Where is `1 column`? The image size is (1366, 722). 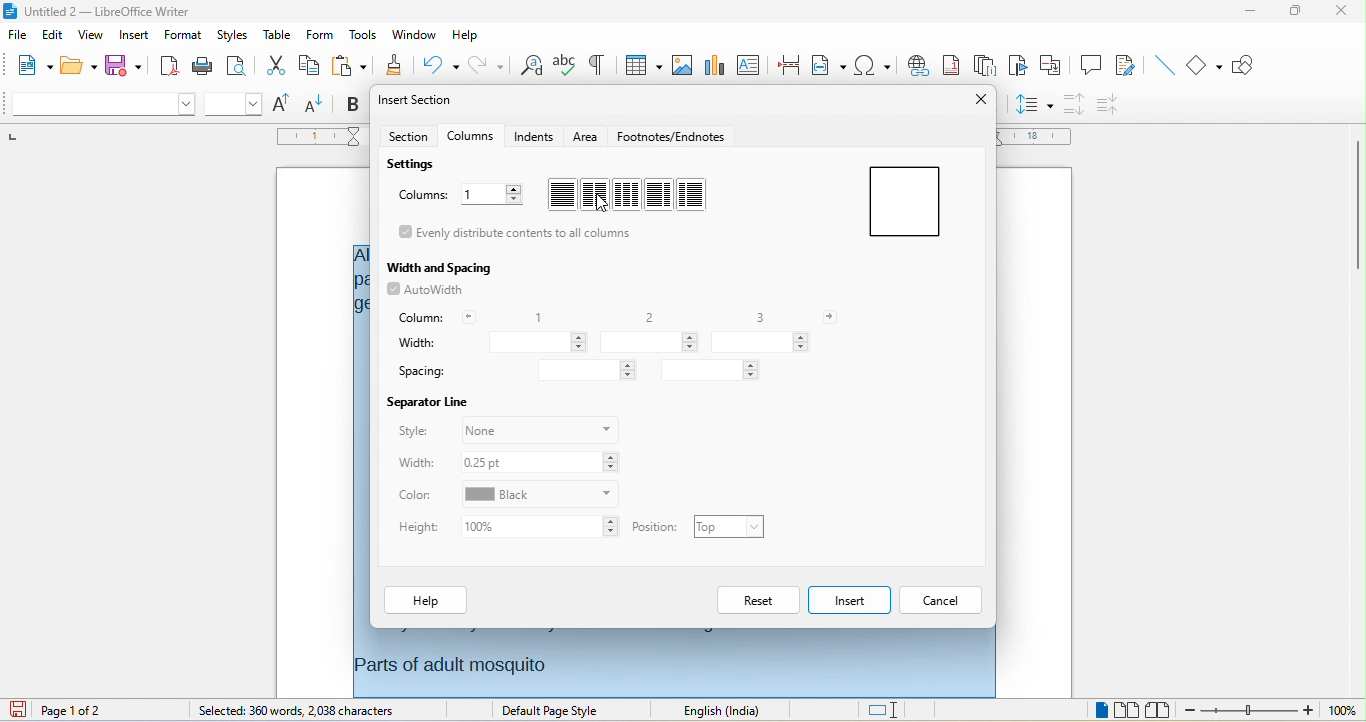
1 column is located at coordinates (561, 195).